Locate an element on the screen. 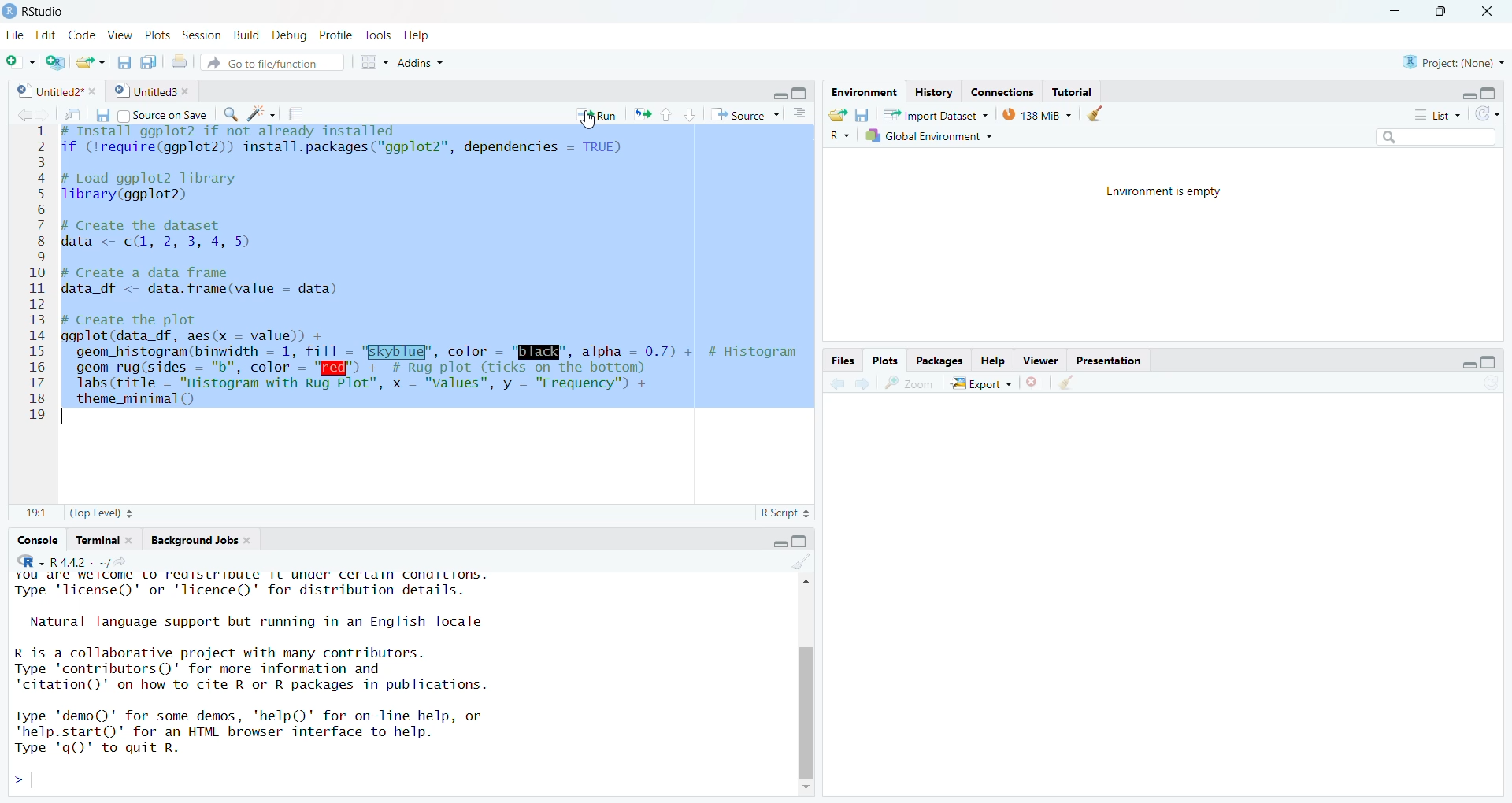 The image size is (1512, 803). forward/backward is located at coordinates (28, 116).